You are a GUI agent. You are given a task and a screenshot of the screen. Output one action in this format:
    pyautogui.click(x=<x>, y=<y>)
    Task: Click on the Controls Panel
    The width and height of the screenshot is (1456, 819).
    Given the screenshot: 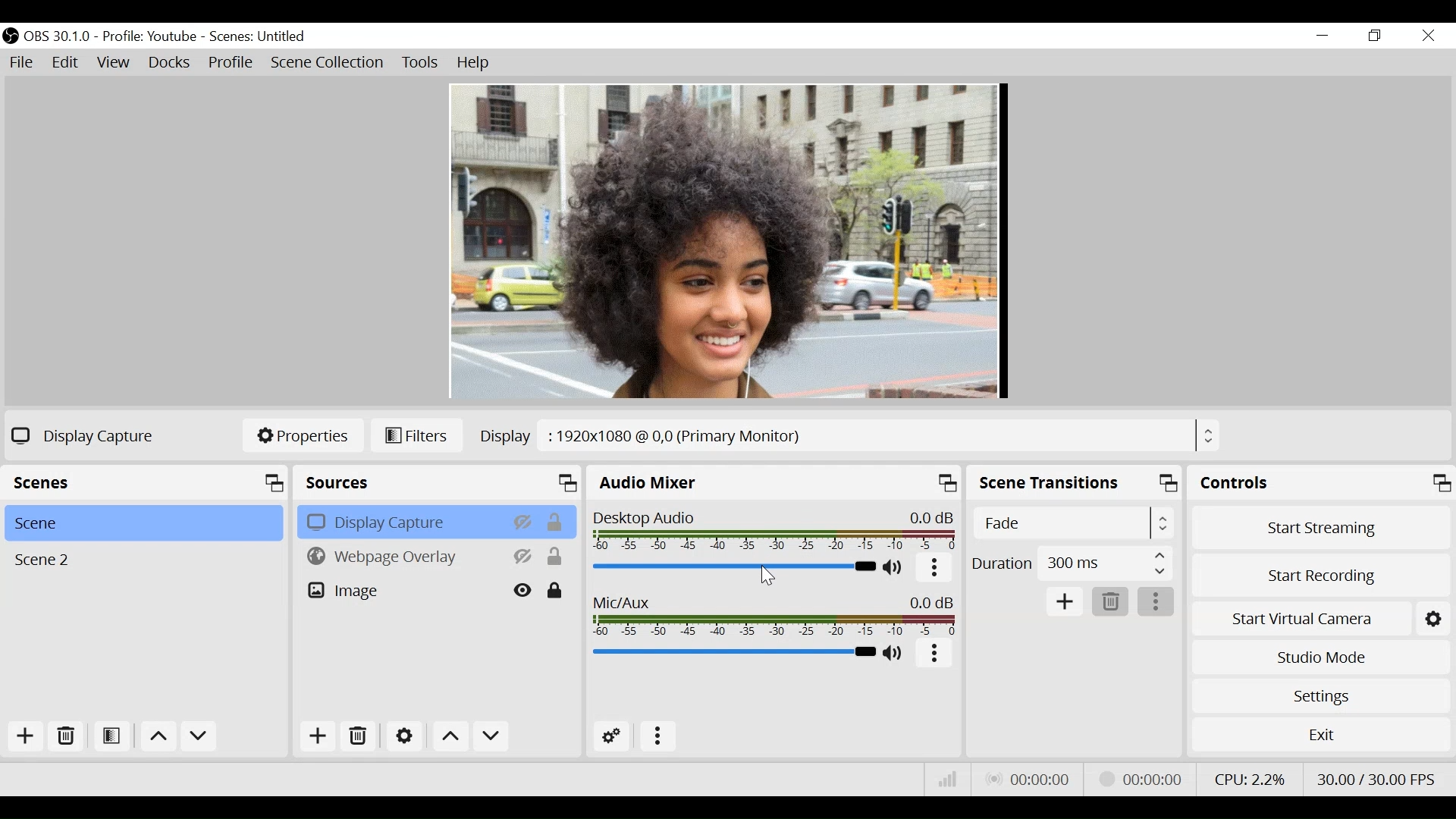 What is the action you would take?
    pyautogui.click(x=1321, y=482)
    